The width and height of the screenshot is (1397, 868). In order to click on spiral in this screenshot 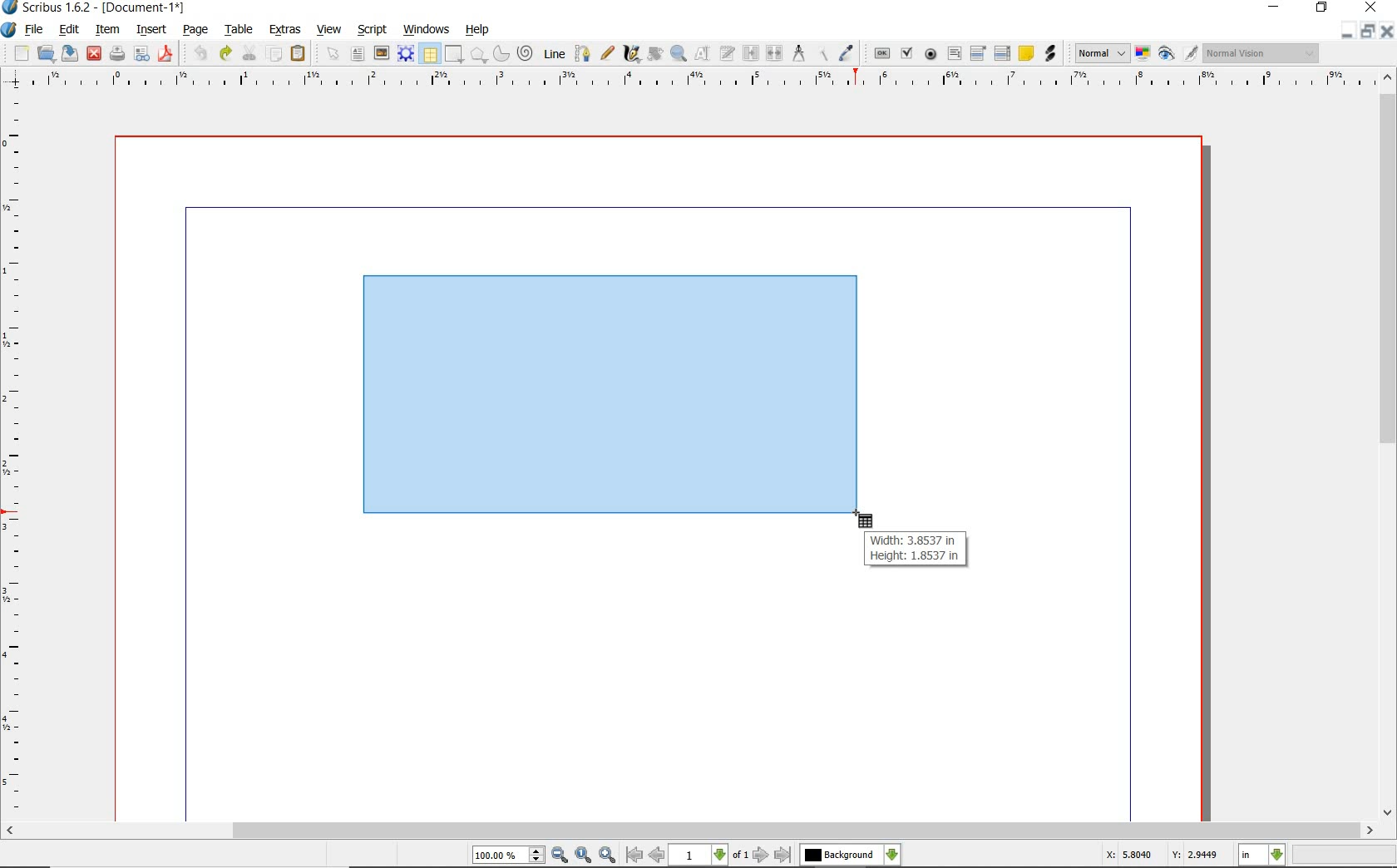, I will do `click(526, 54)`.